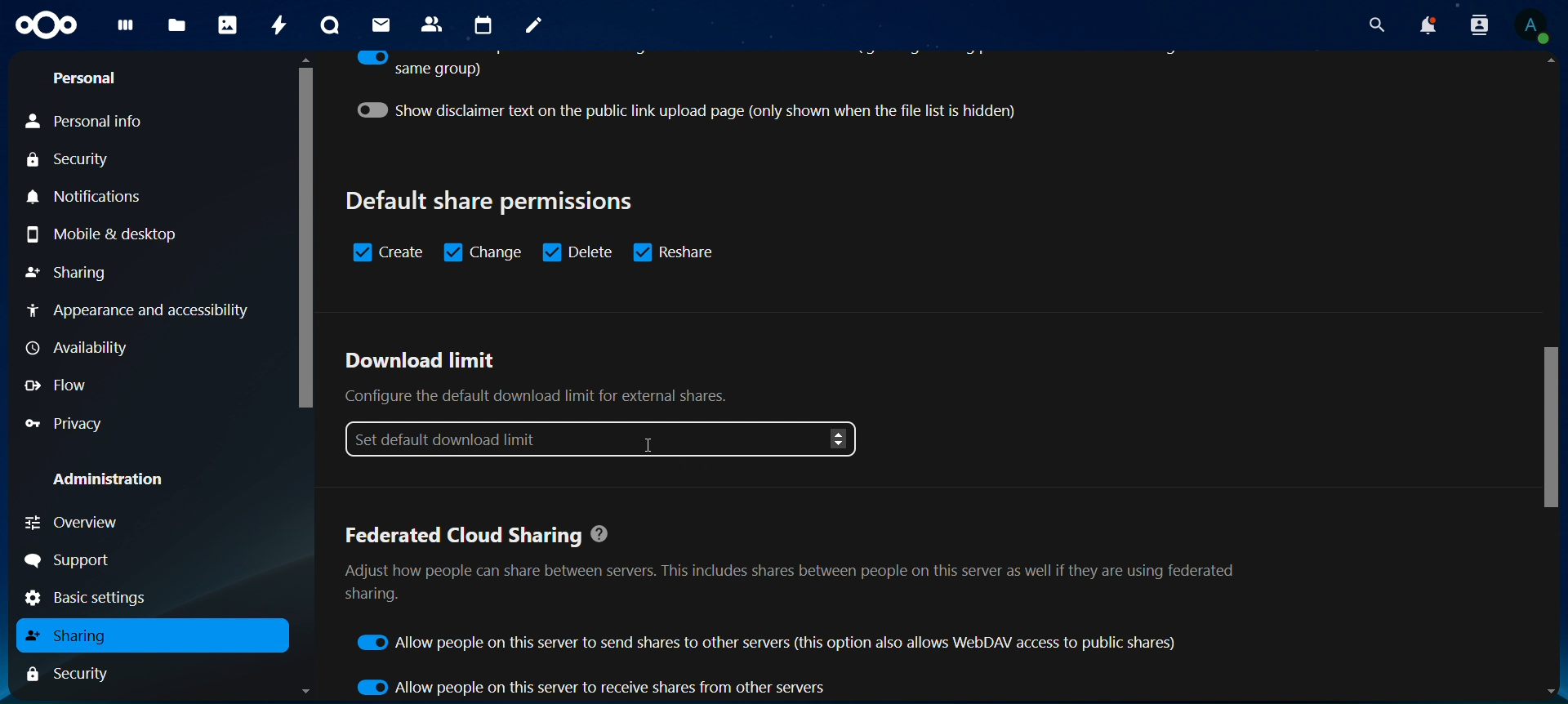 Image resolution: width=1568 pixels, height=704 pixels. What do you see at coordinates (87, 122) in the screenshot?
I see `personal info` at bounding box center [87, 122].